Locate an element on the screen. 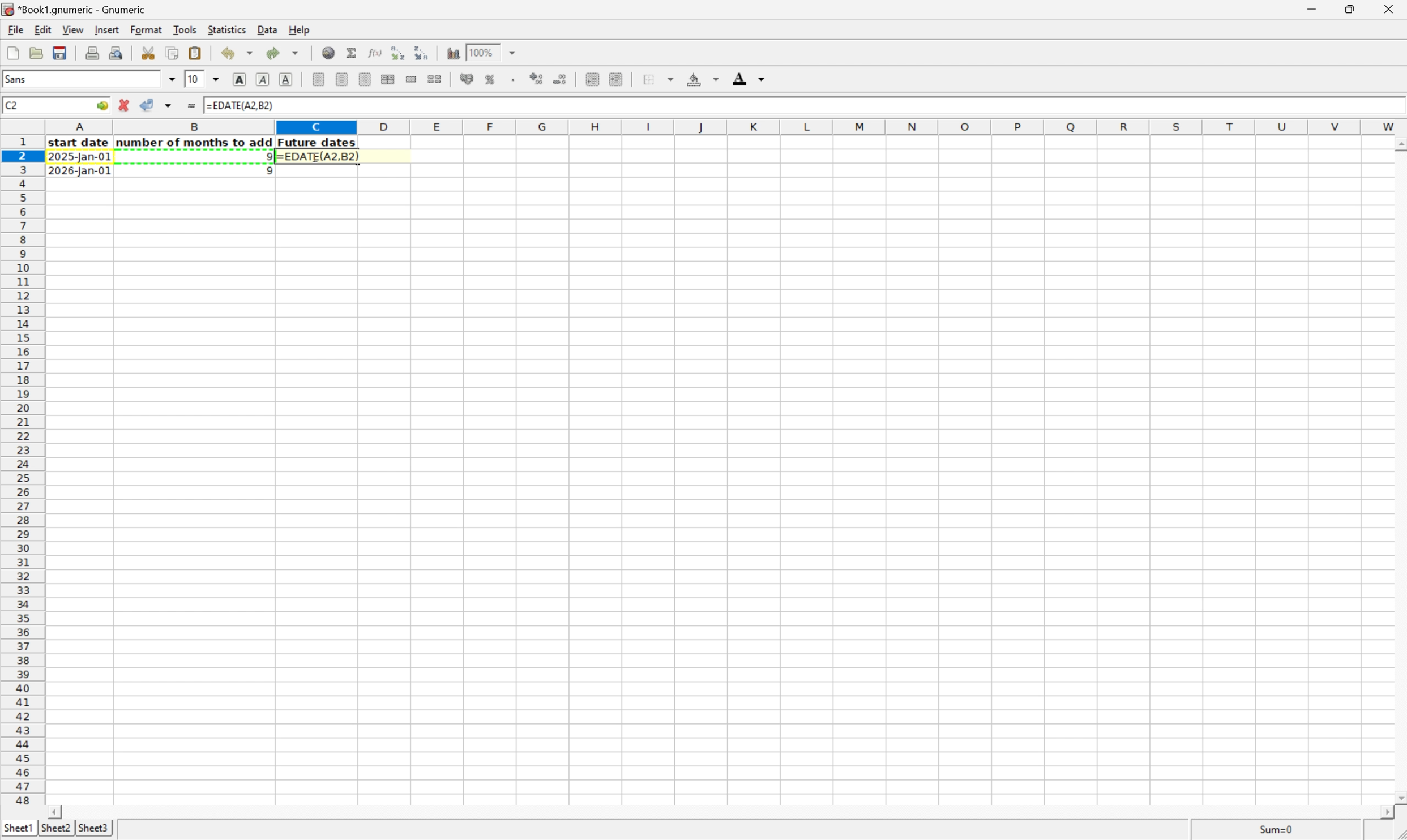  Scroll Left is located at coordinates (57, 811).